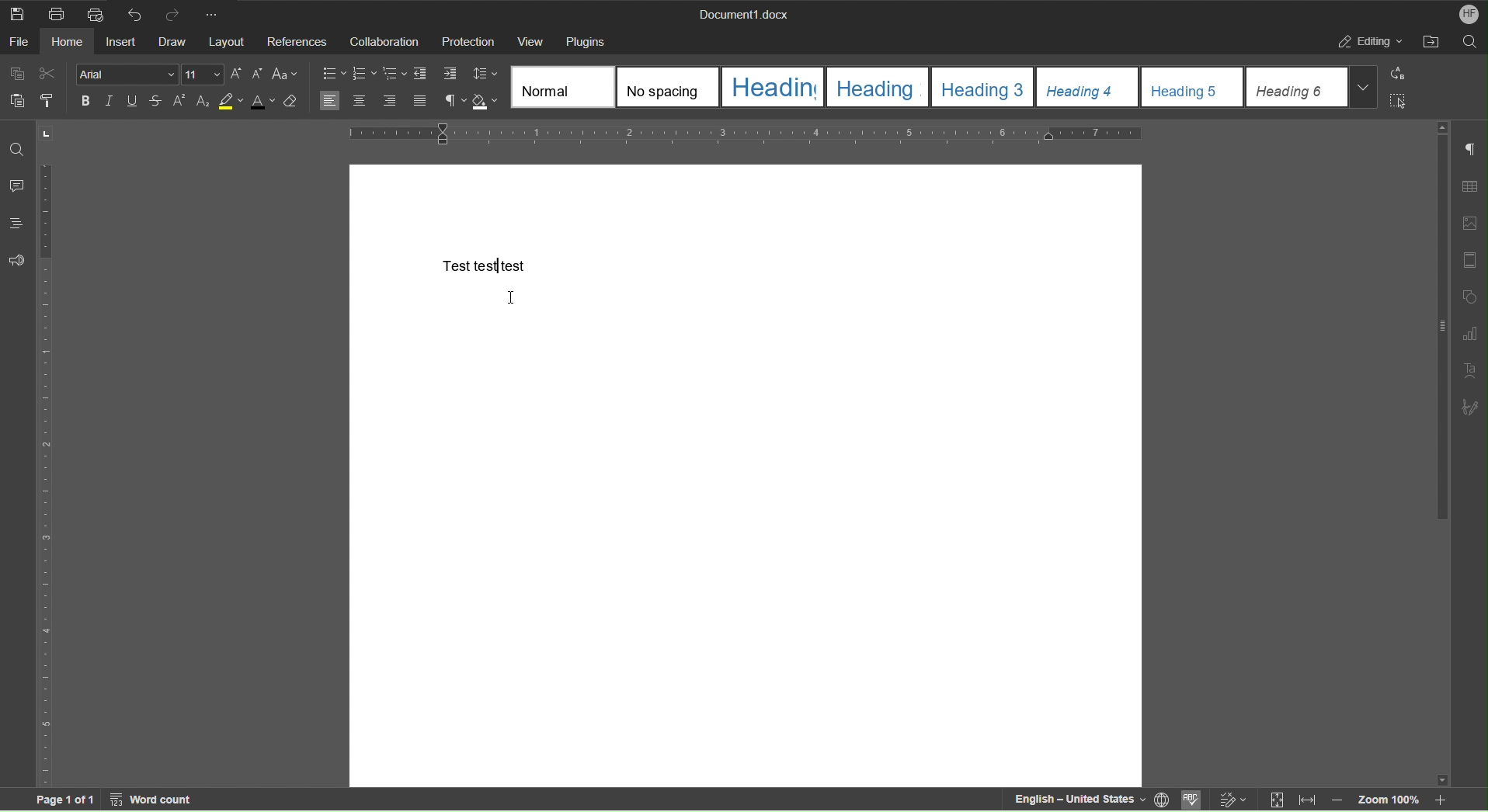 The image size is (1488, 812). Describe the element at coordinates (671, 88) in the screenshot. I see `No Spacing` at that location.